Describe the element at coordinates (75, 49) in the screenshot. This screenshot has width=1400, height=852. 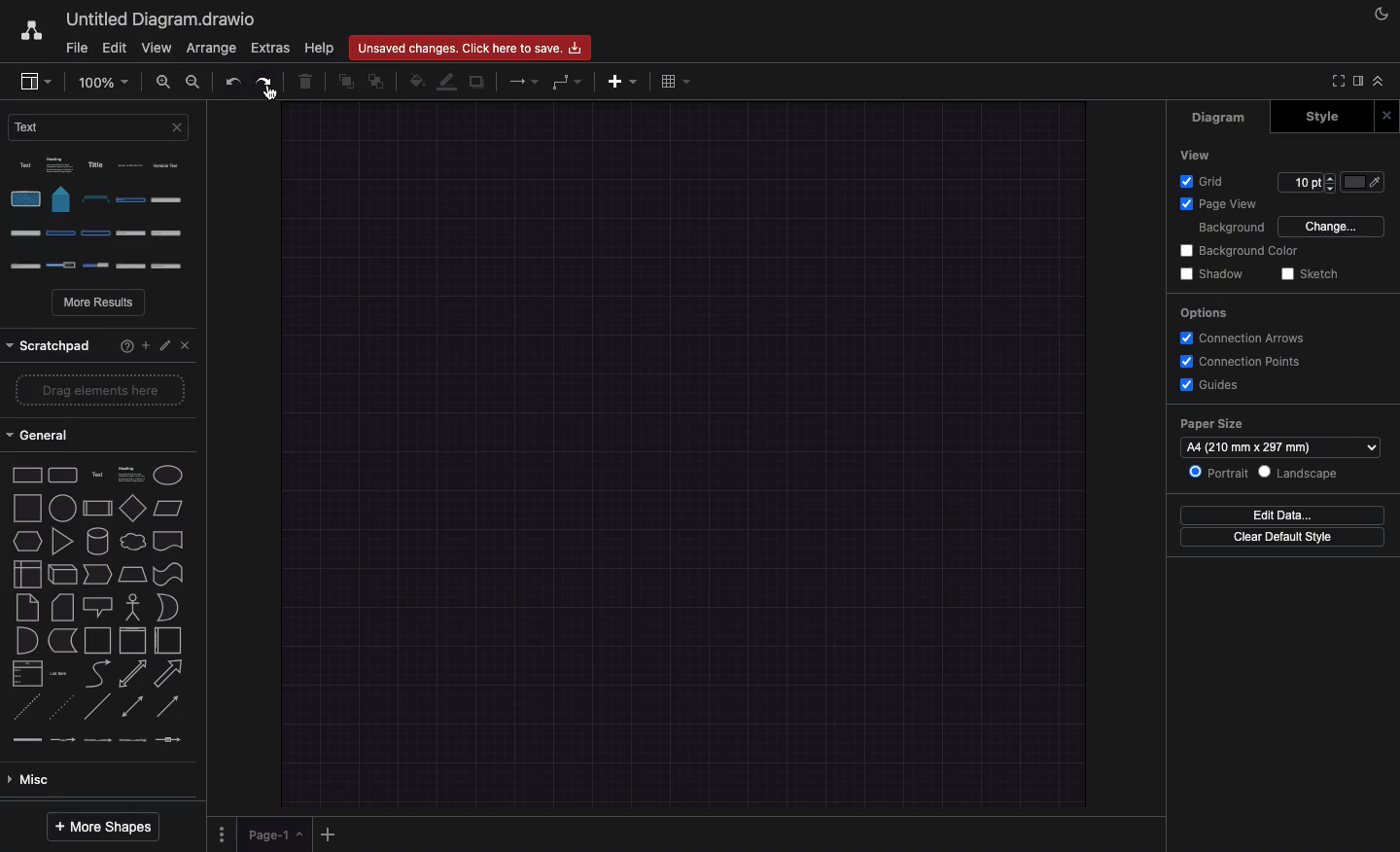
I see `File` at that location.